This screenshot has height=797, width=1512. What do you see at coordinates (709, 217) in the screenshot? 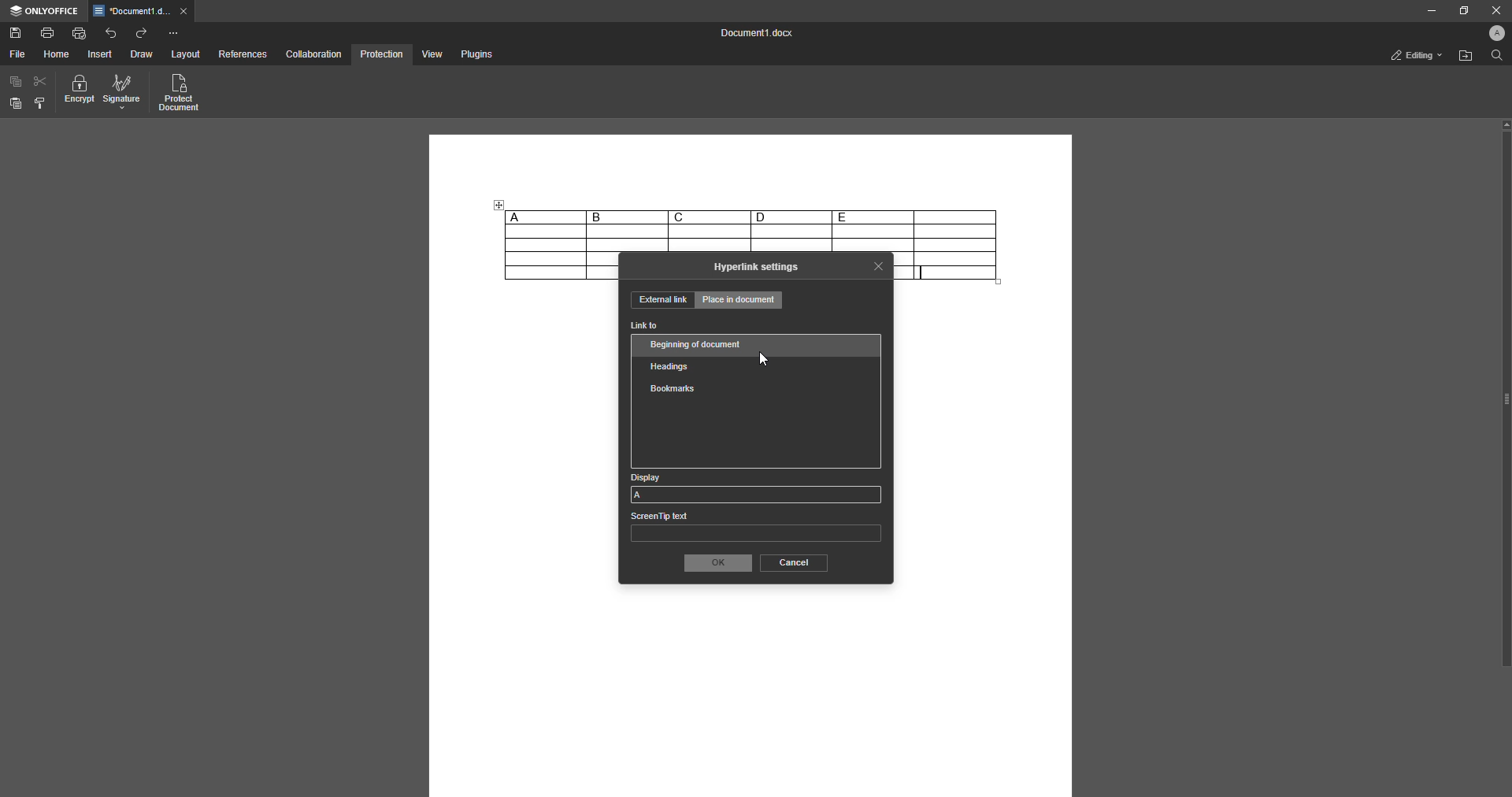
I see `C` at bounding box center [709, 217].